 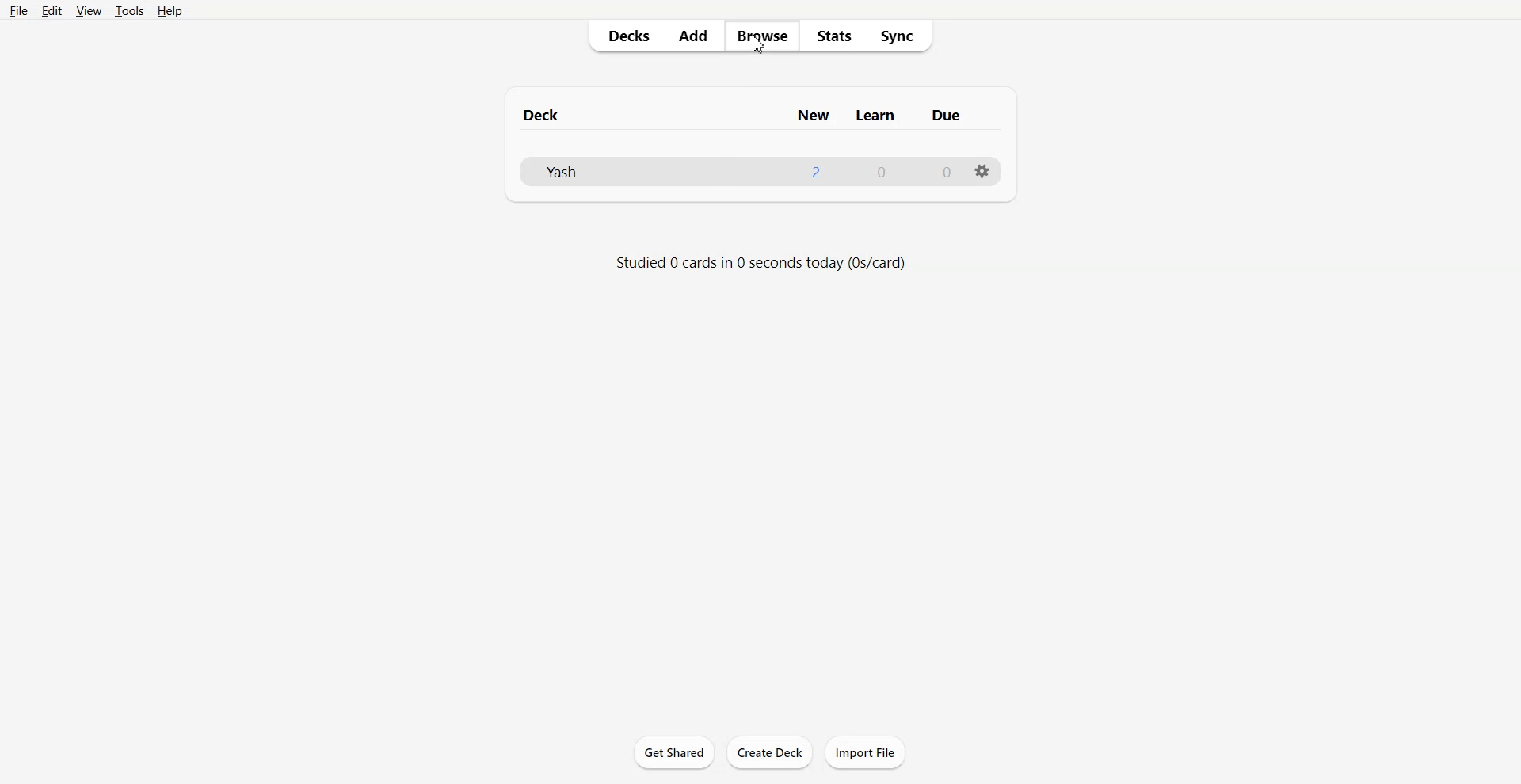 What do you see at coordinates (587, 171) in the screenshot?
I see `yash` at bounding box center [587, 171].